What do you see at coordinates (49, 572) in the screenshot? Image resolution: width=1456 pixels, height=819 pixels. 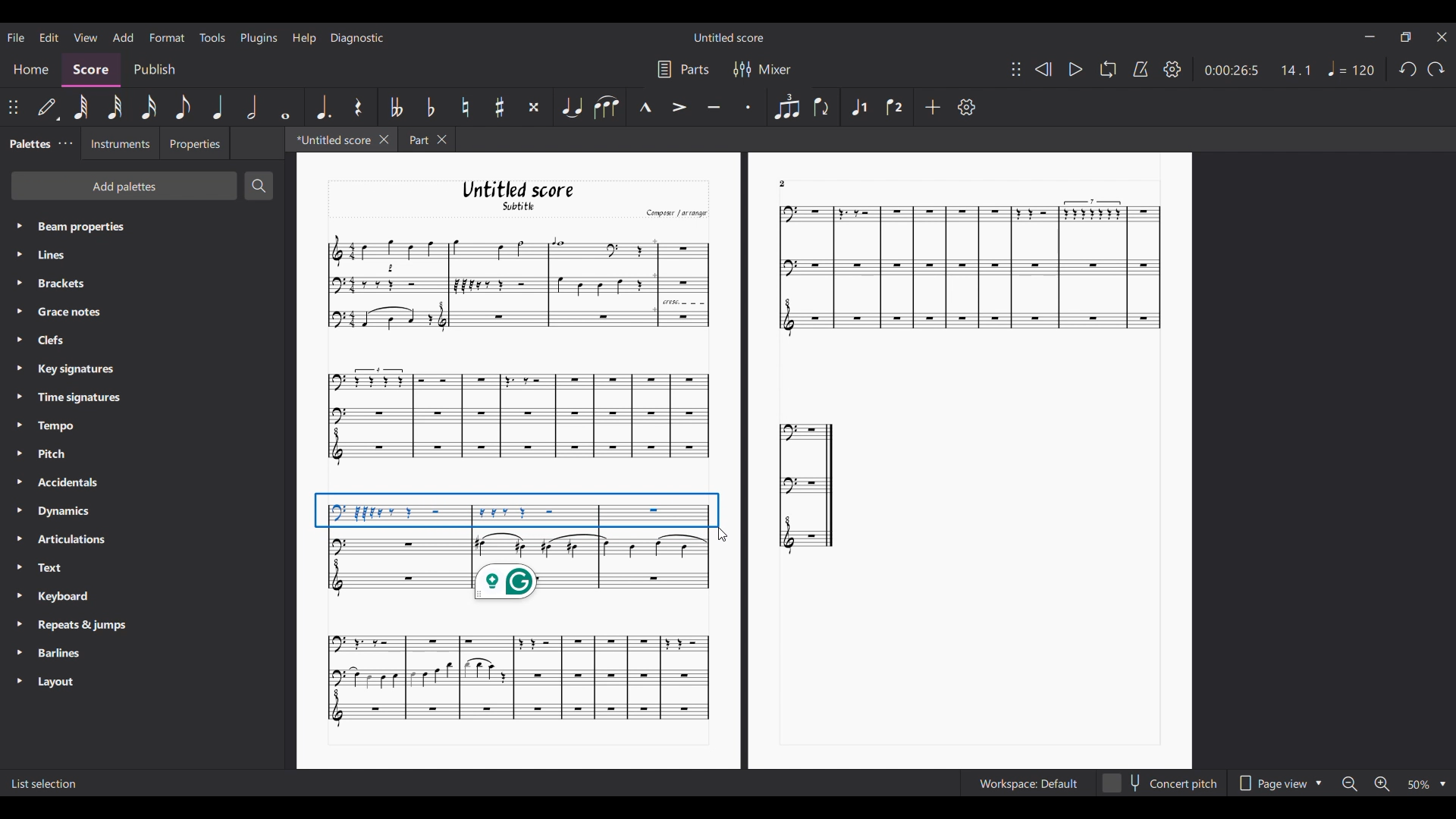 I see `> Text` at bounding box center [49, 572].